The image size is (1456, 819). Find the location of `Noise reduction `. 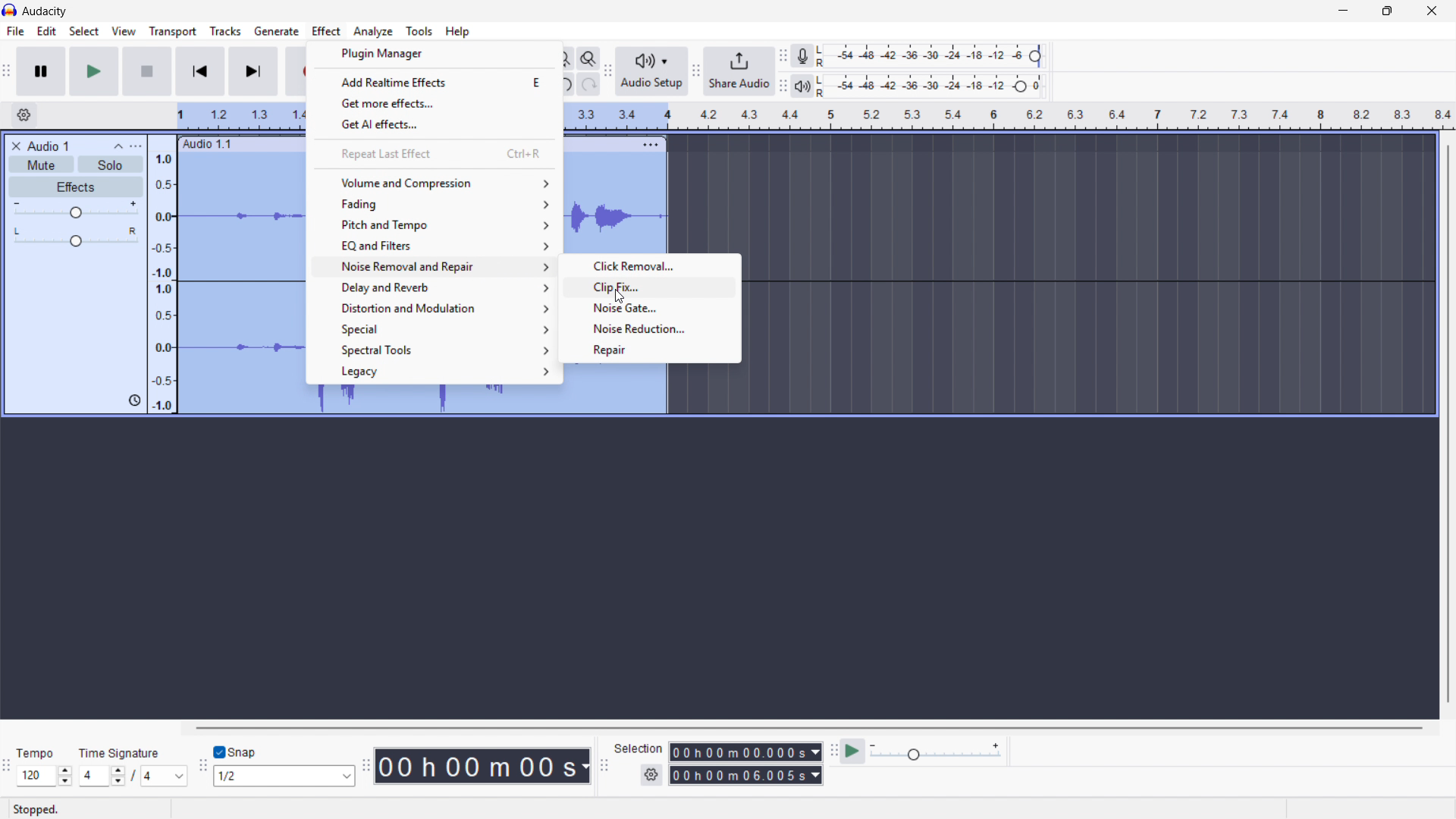

Noise reduction  is located at coordinates (649, 328).